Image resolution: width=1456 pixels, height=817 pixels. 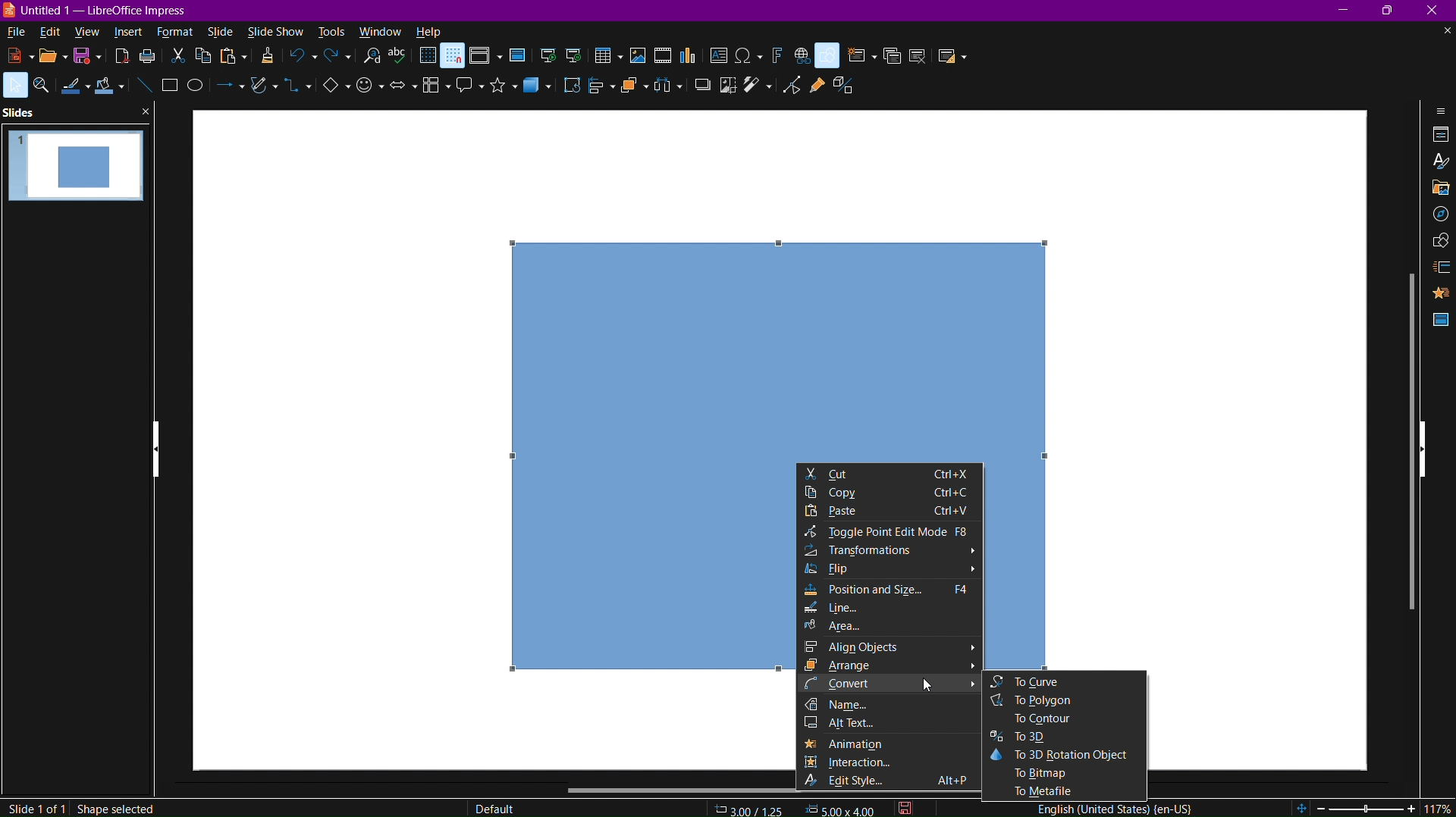 What do you see at coordinates (374, 60) in the screenshot?
I see `Search and Replace` at bounding box center [374, 60].